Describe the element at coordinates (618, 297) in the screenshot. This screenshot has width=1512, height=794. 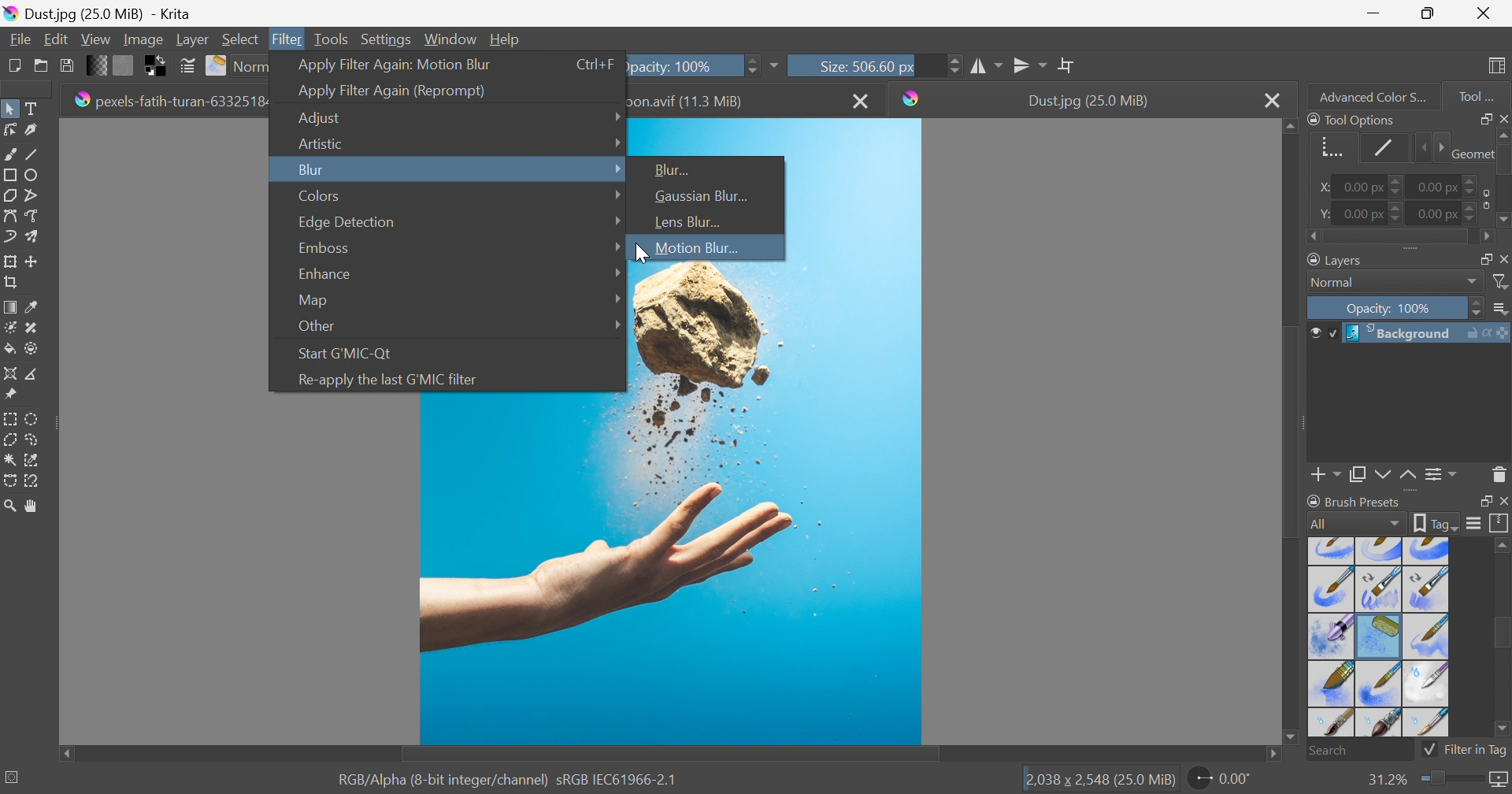
I see `Drop Down` at that location.